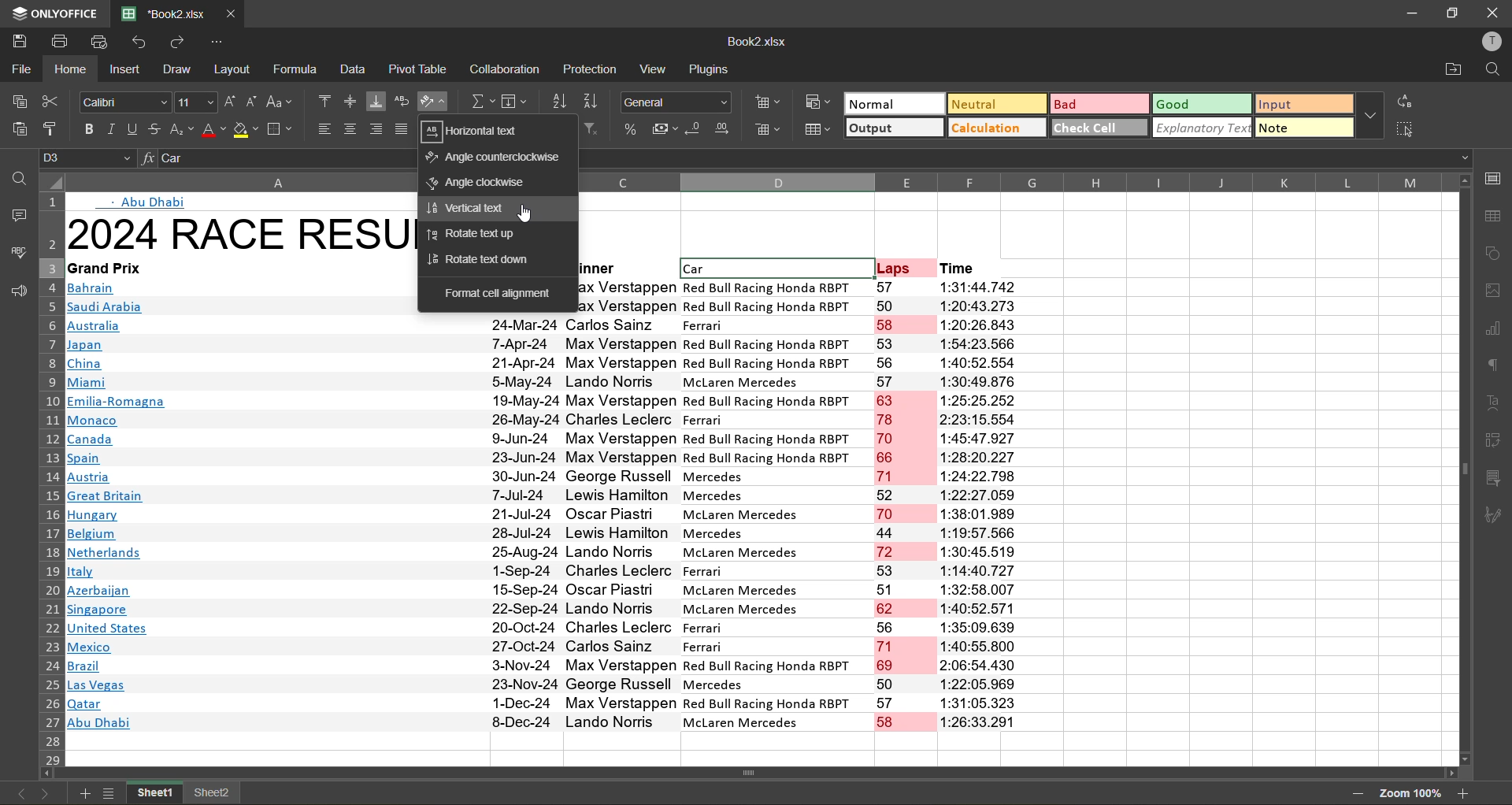  I want to click on layout, so click(235, 70).